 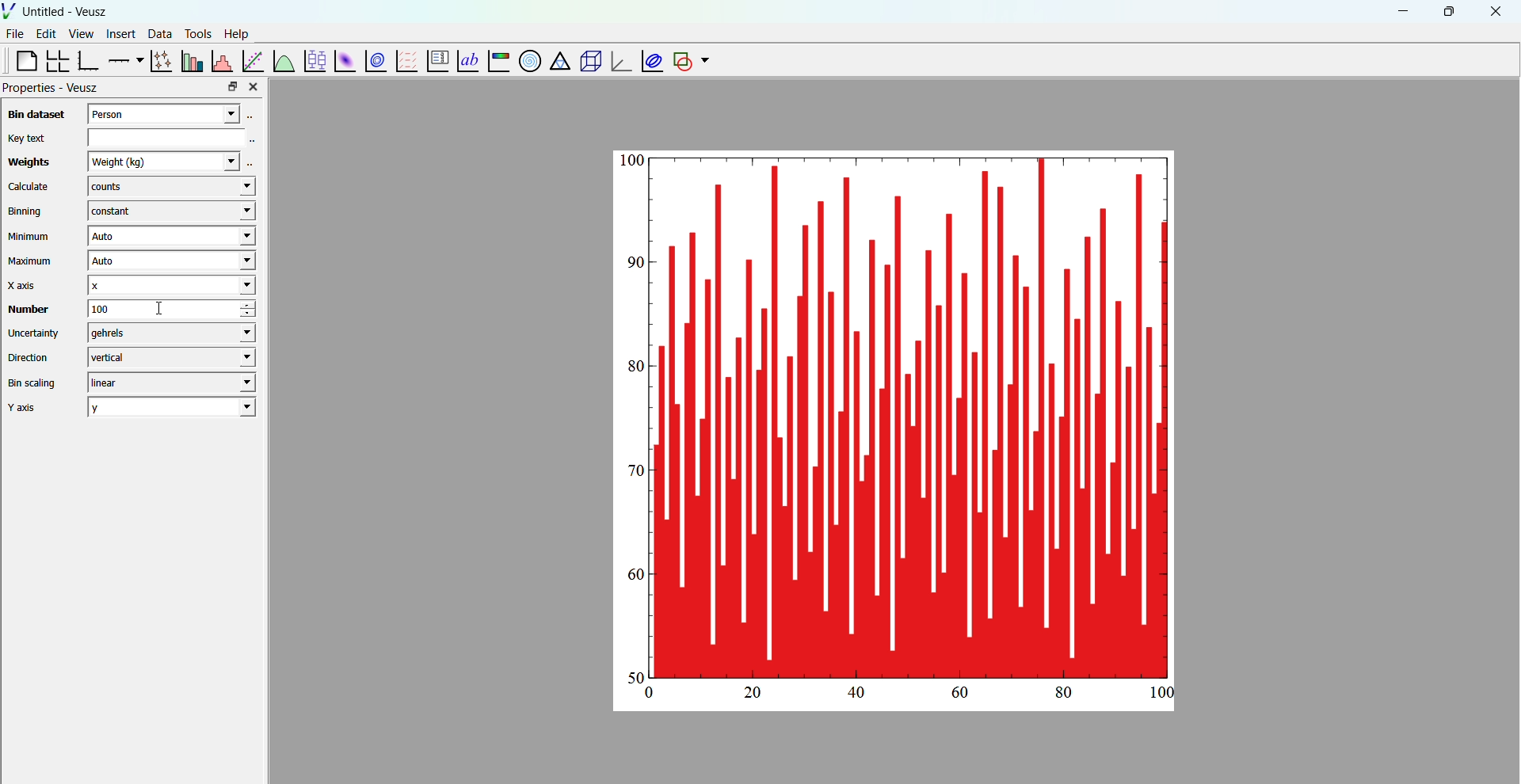 I want to click on Properties - Veusz, so click(x=52, y=88).